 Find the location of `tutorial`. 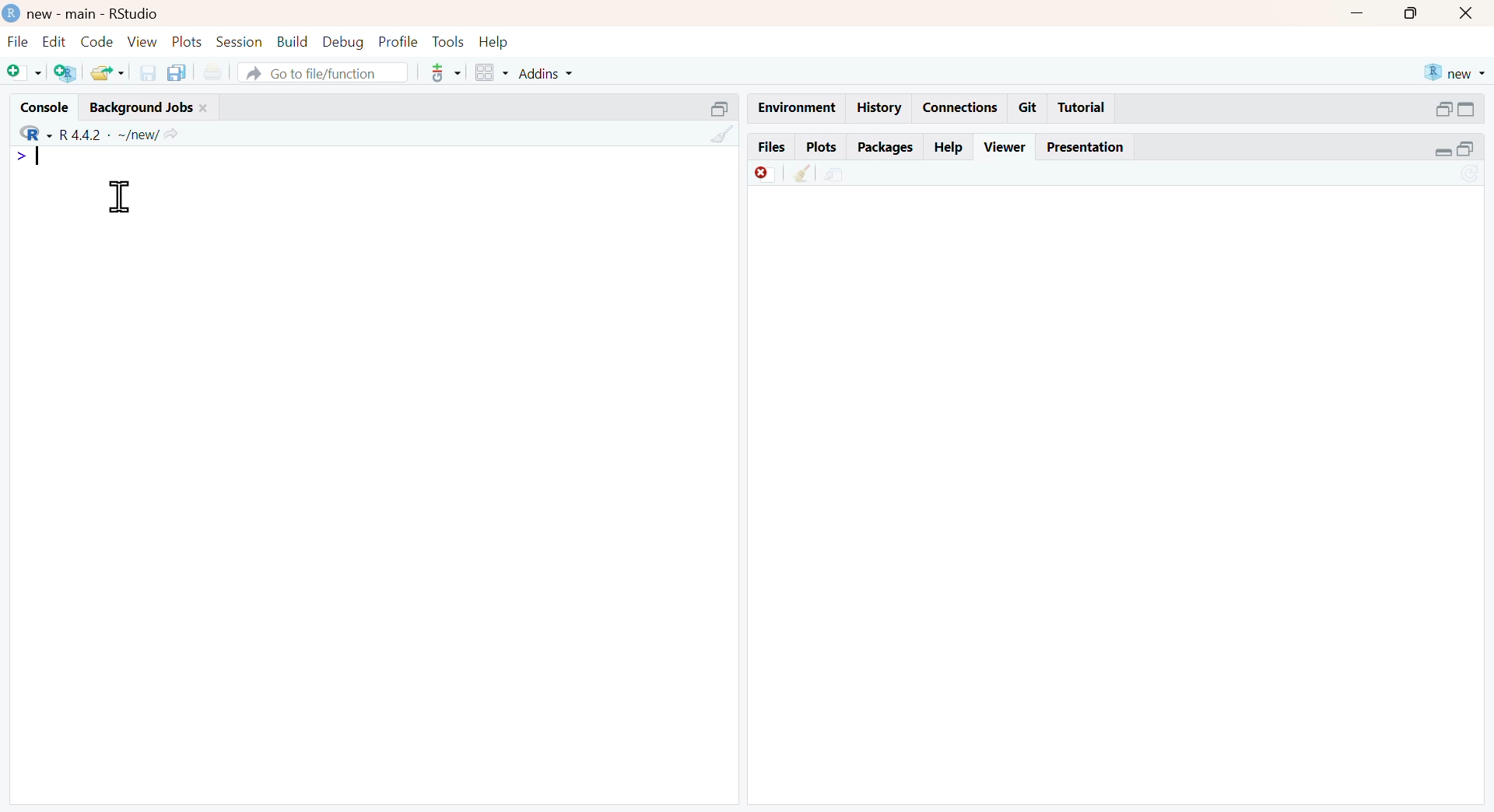

tutorial is located at coordinates (1082, 108).